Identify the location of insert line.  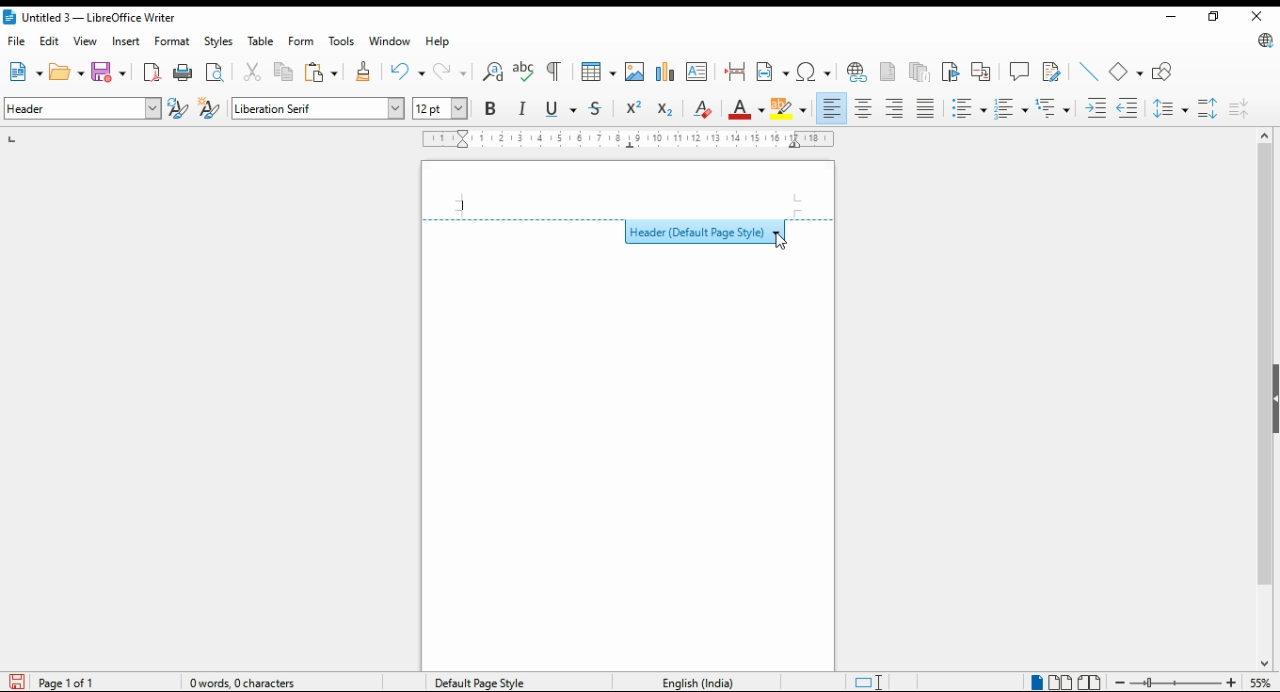
(1089, 71).